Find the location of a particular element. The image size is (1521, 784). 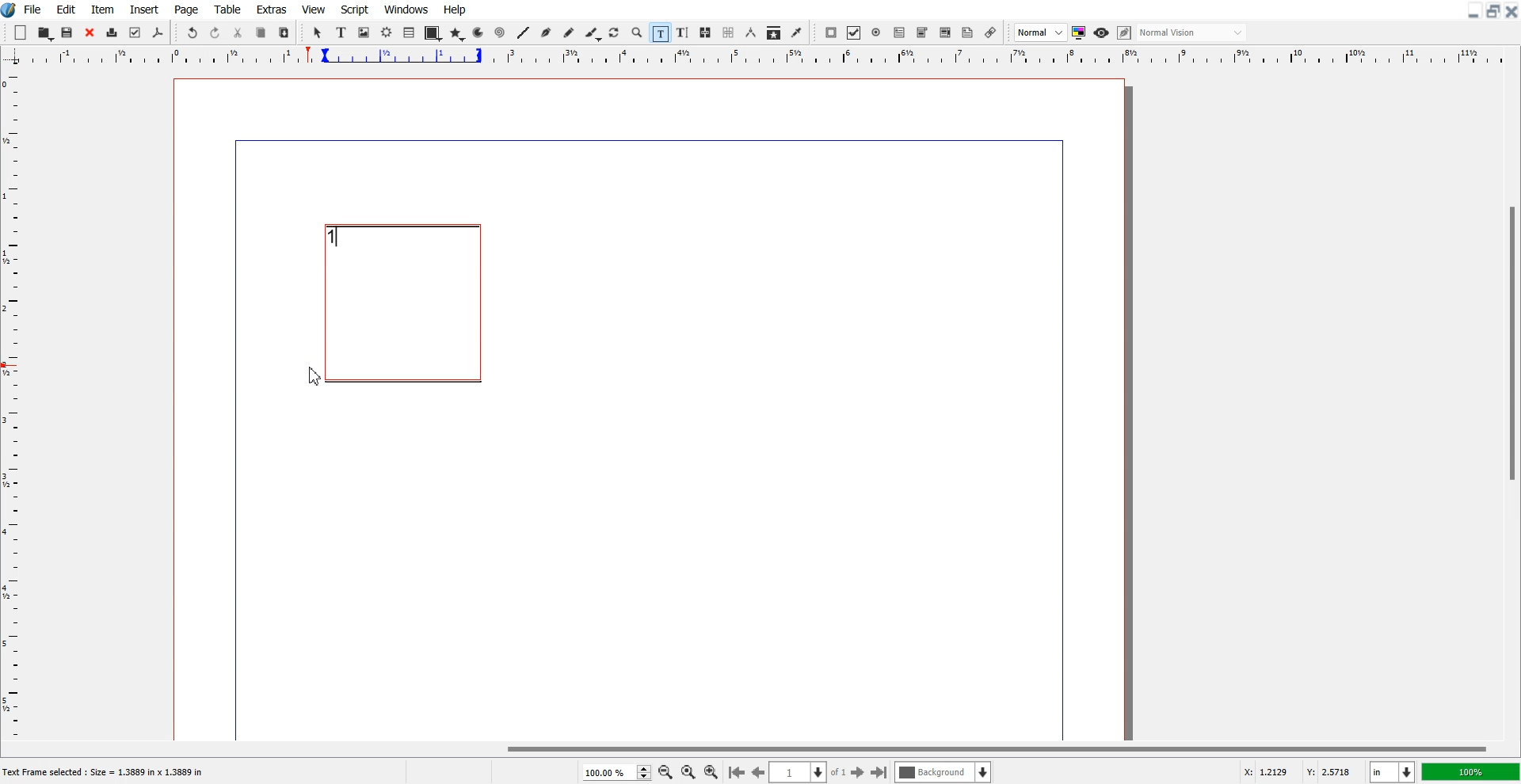

Undo is located at coordinates (192, 33).